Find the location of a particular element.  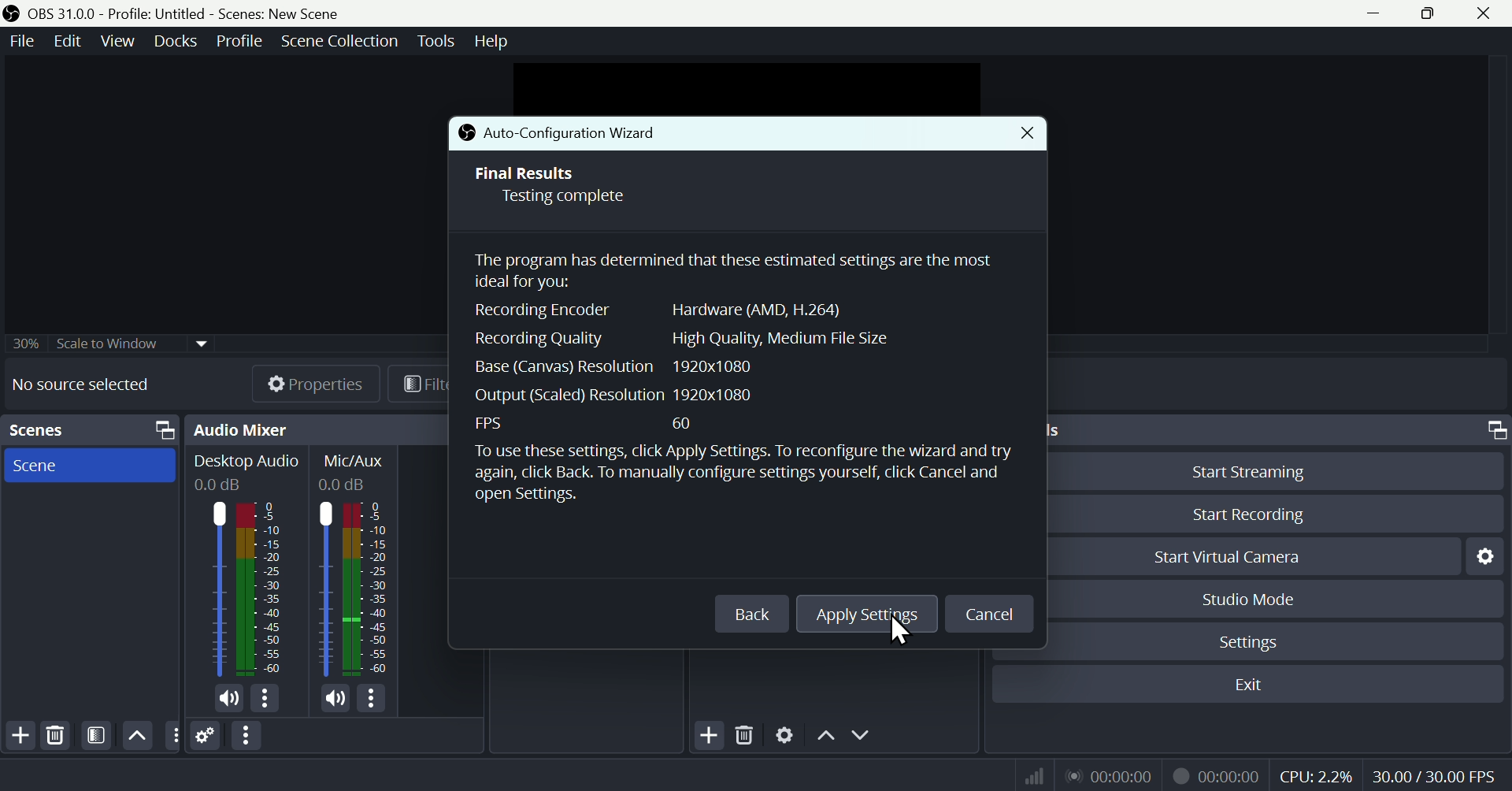

cursor is located at coordinates (896, 633).